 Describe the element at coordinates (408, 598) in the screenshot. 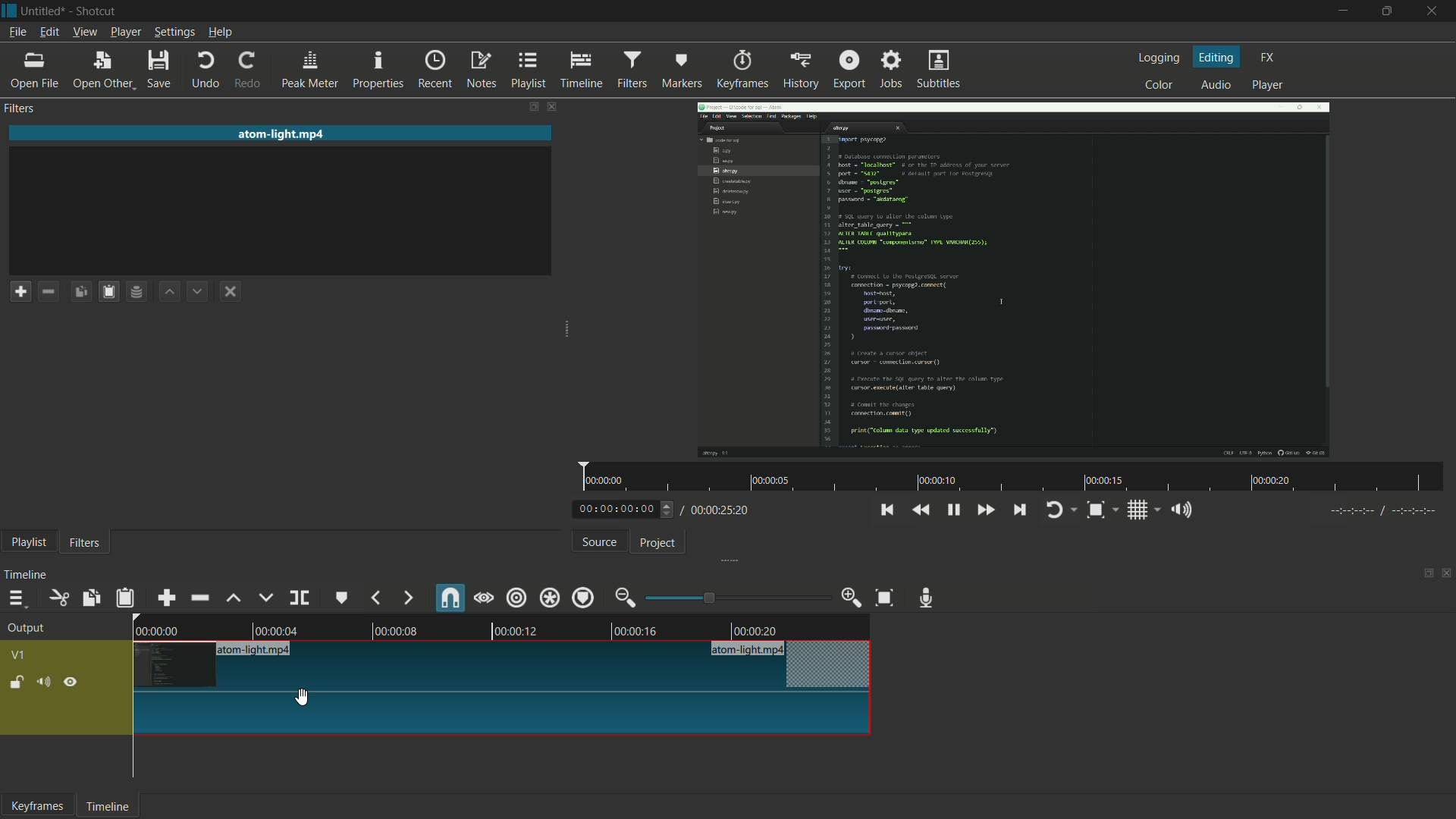

I see `next marker` at that location.